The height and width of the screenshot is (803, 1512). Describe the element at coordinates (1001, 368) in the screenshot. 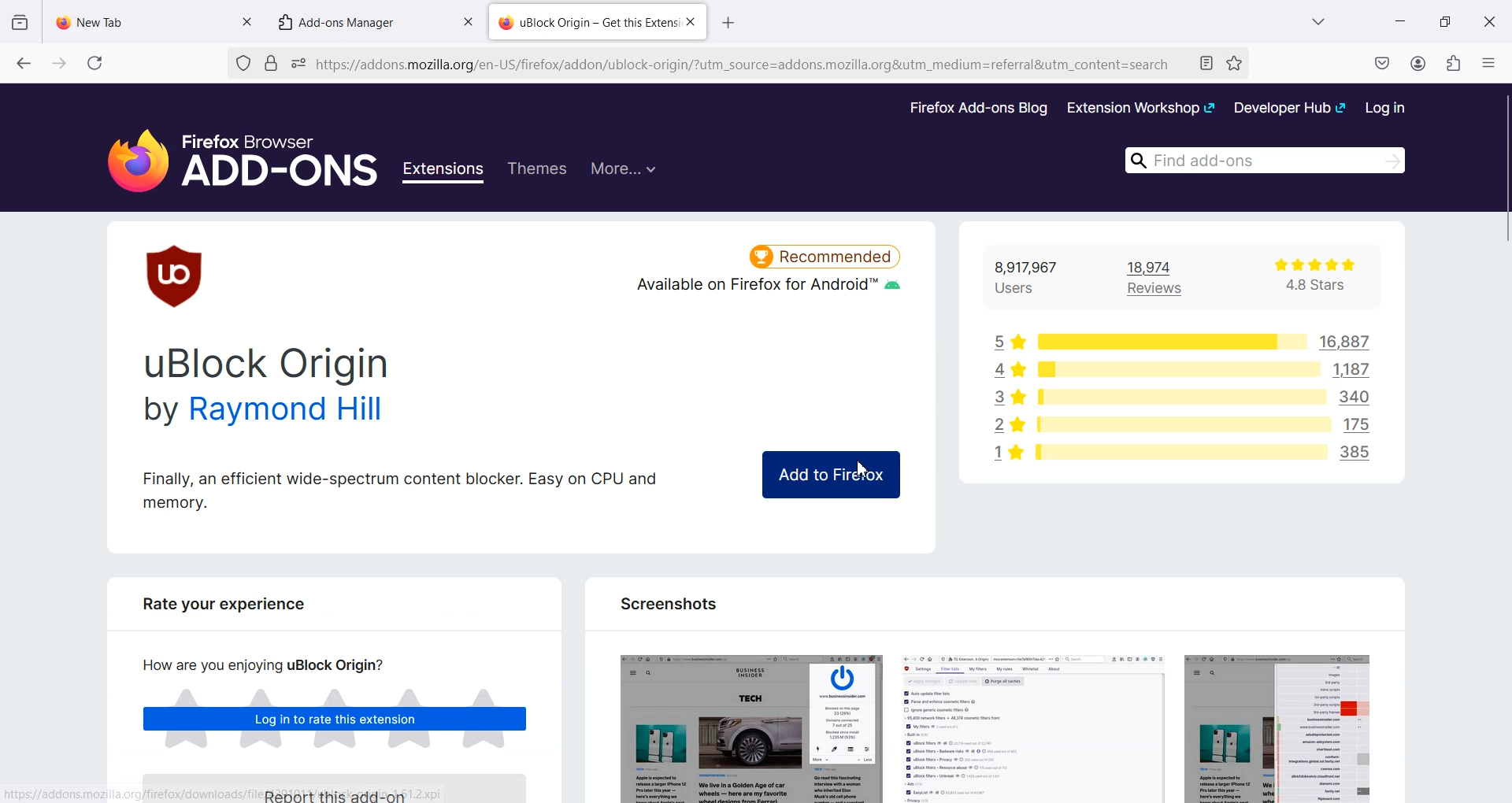

I see `4 star rating` at that location.